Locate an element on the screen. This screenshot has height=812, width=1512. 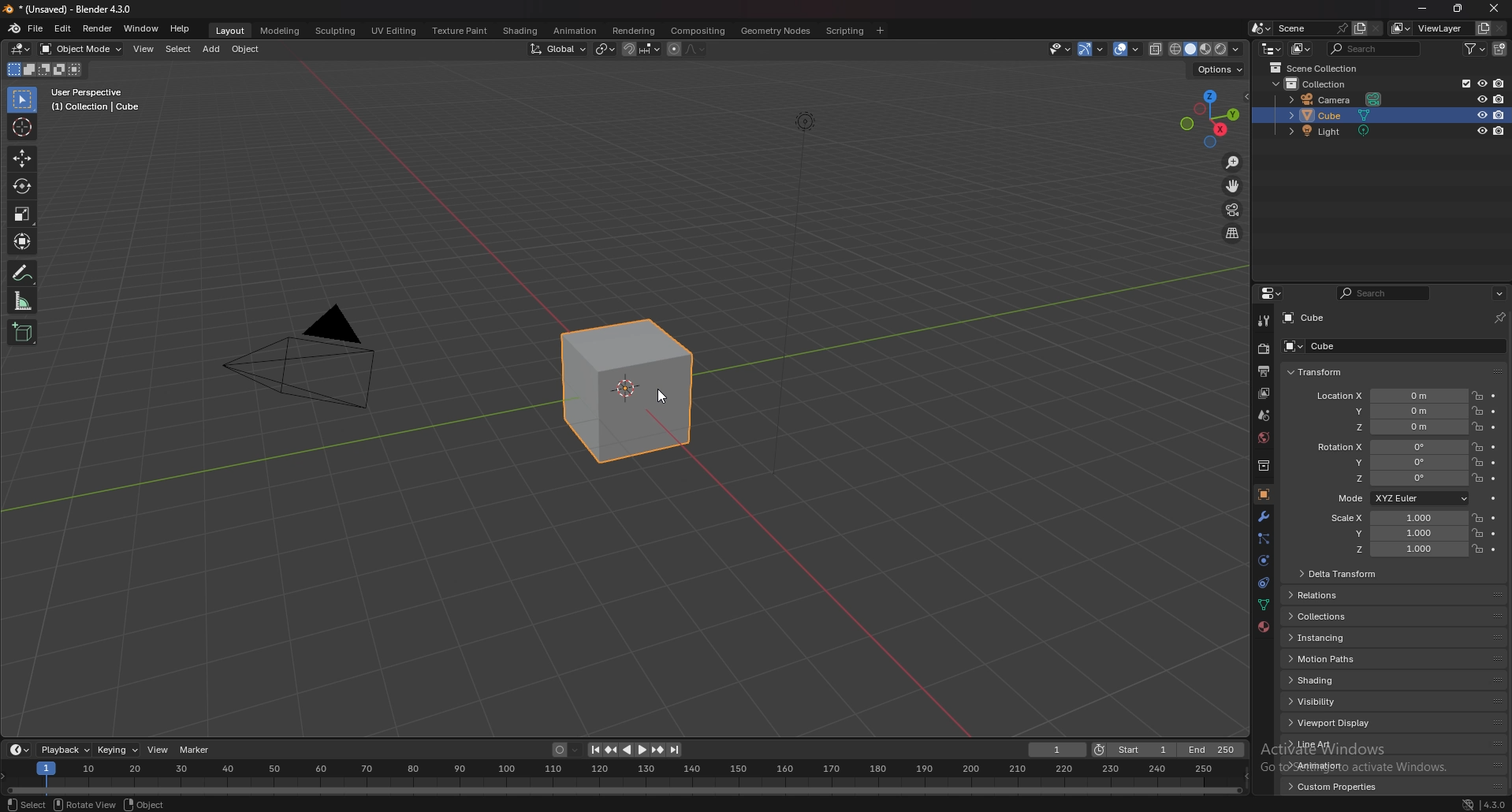
mode is located at coordinates (1401, 498).